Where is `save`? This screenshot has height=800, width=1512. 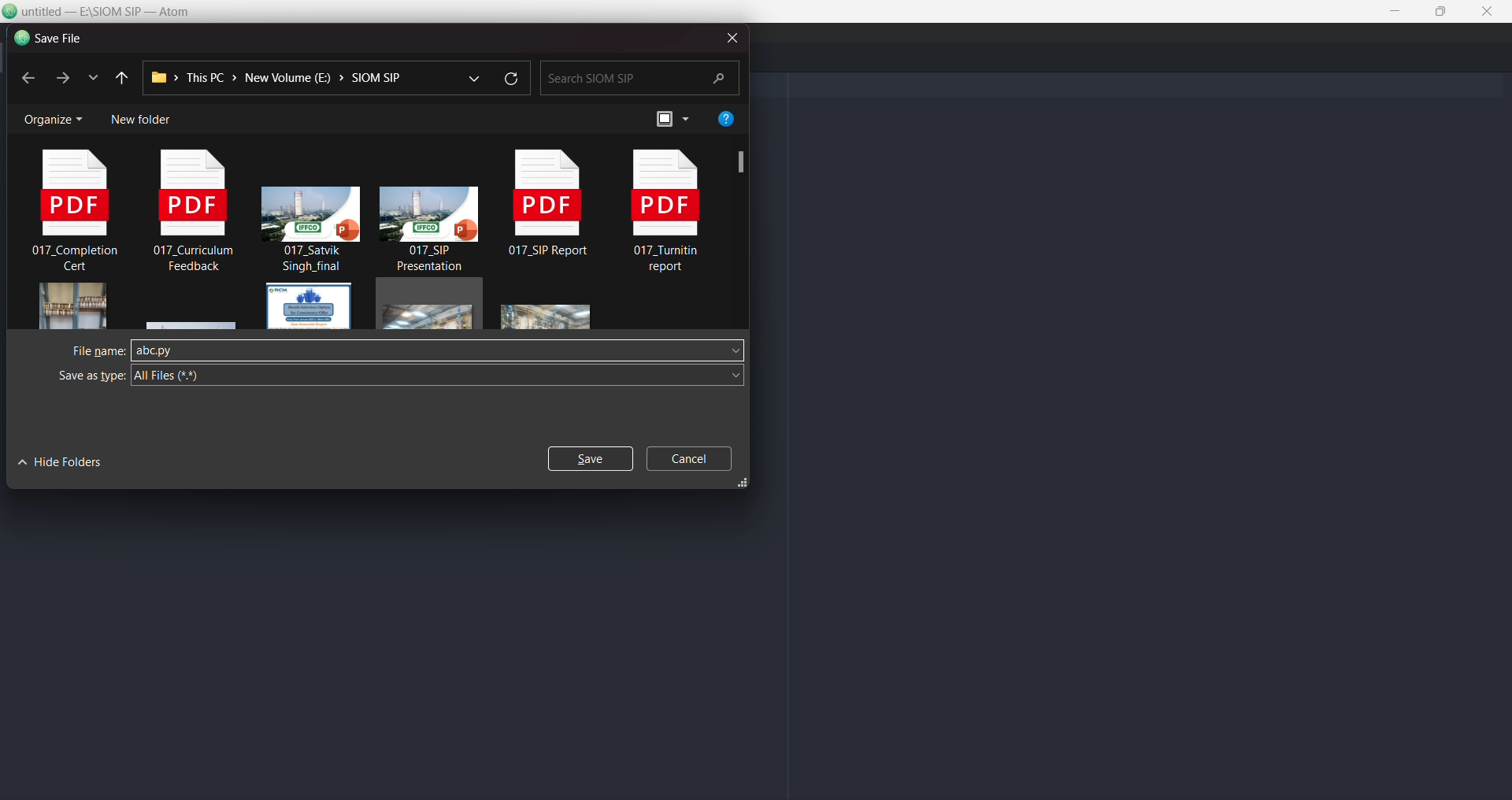
save is located at coordinates (587, 457).